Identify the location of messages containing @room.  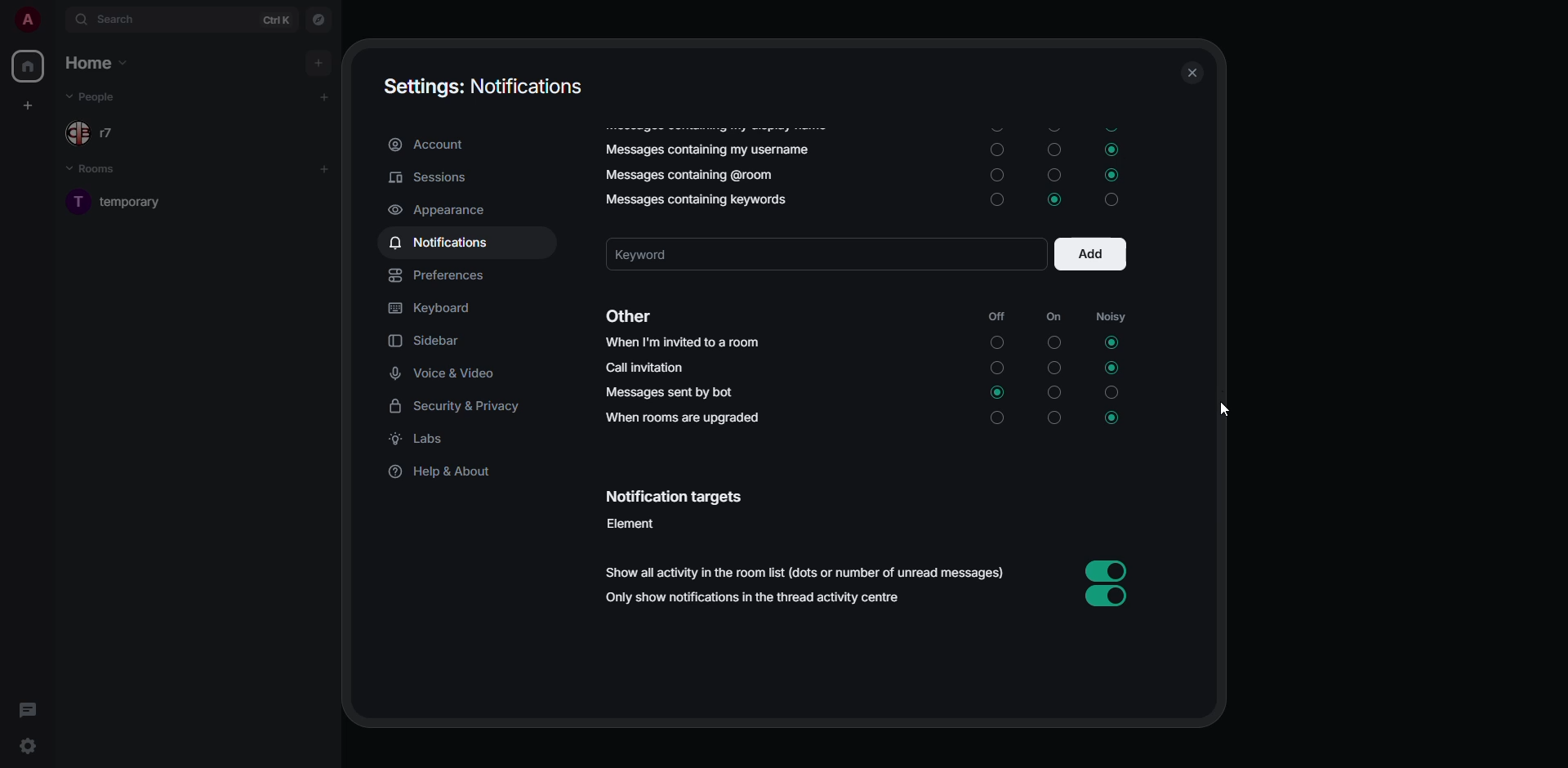
(685, 176).